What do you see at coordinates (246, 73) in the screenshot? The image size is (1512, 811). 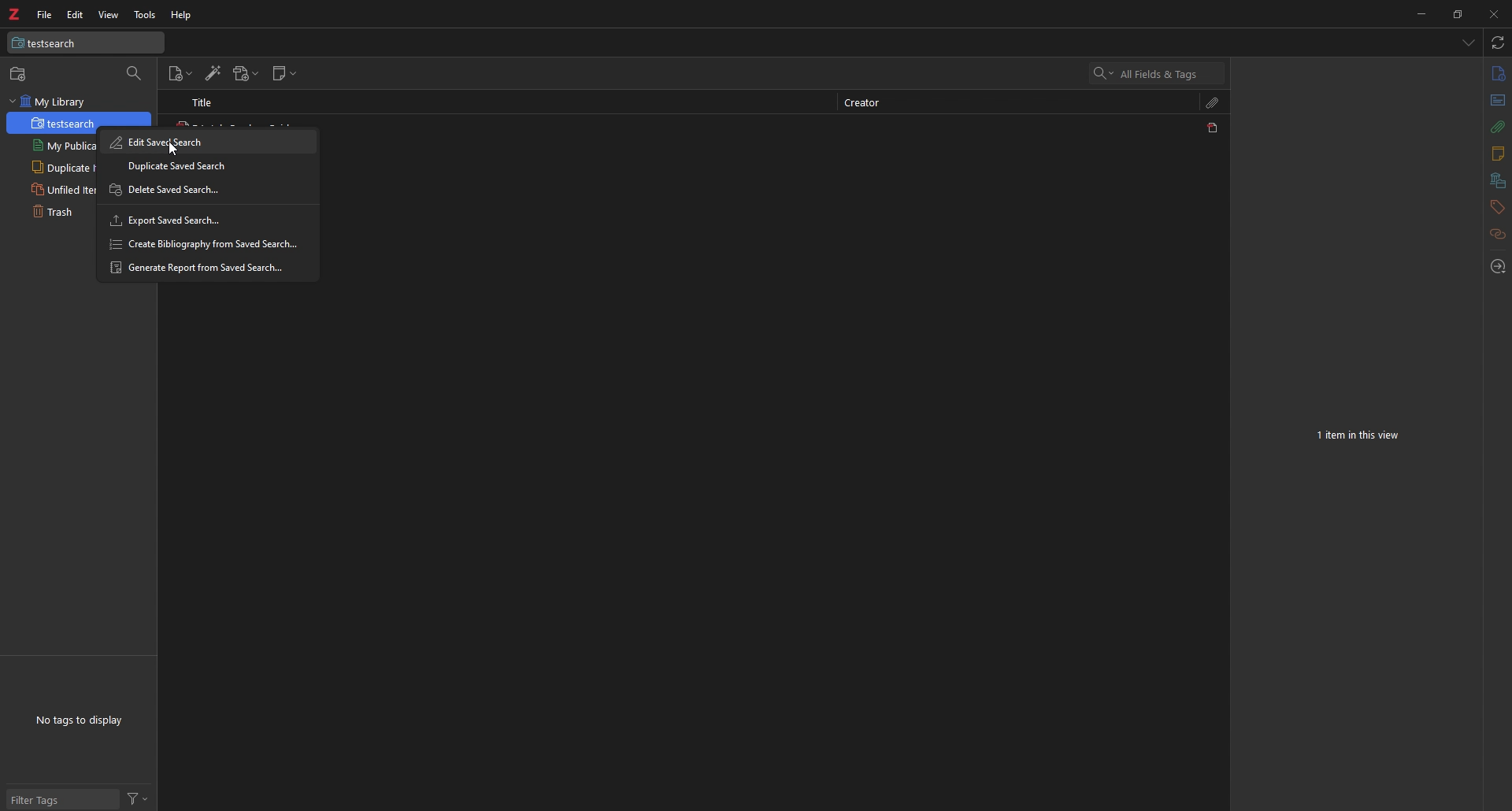 I see `add attachment` at bounding box center [246, 73].